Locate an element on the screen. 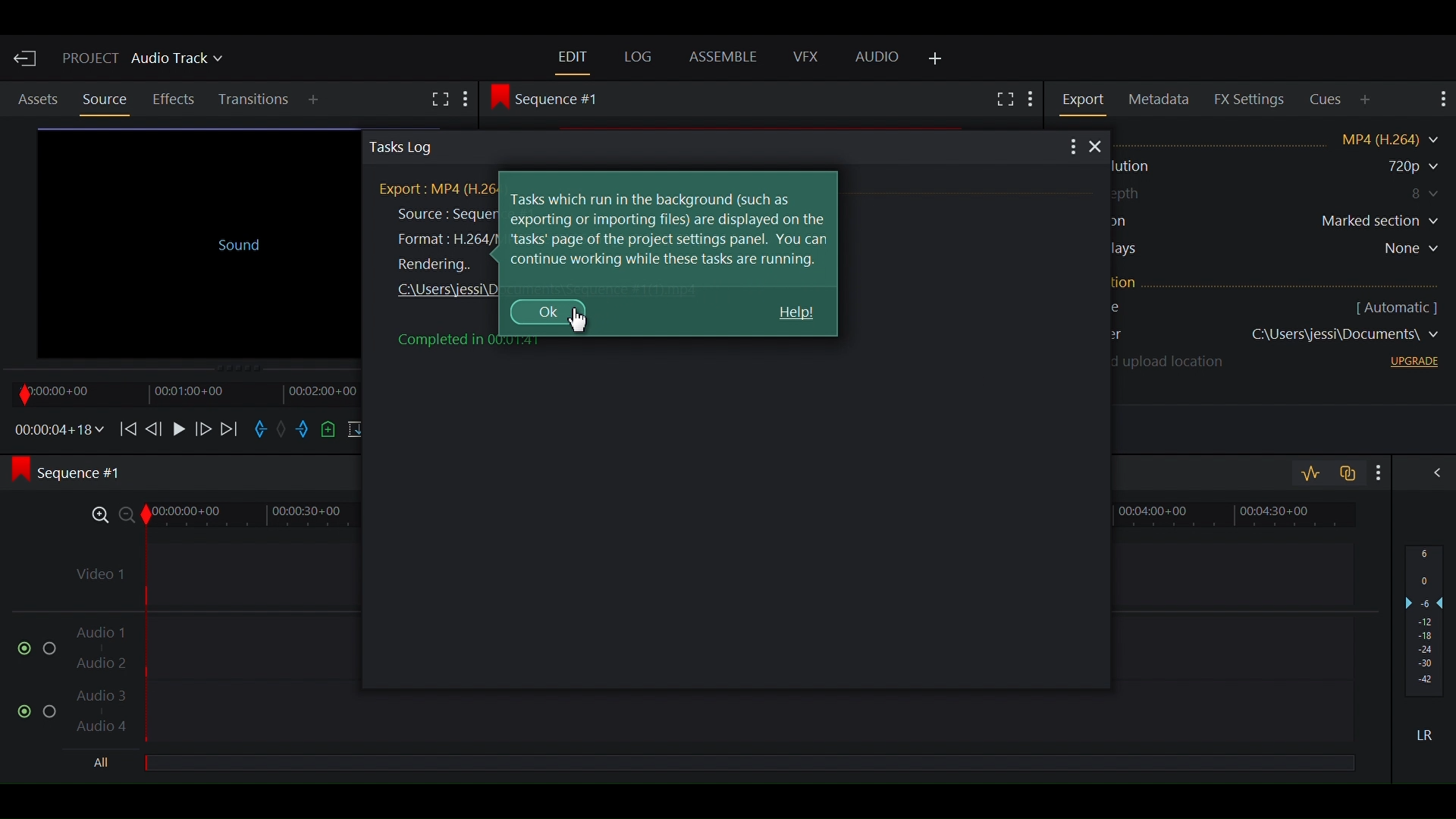  LR is located at coordinates (1430, 735).